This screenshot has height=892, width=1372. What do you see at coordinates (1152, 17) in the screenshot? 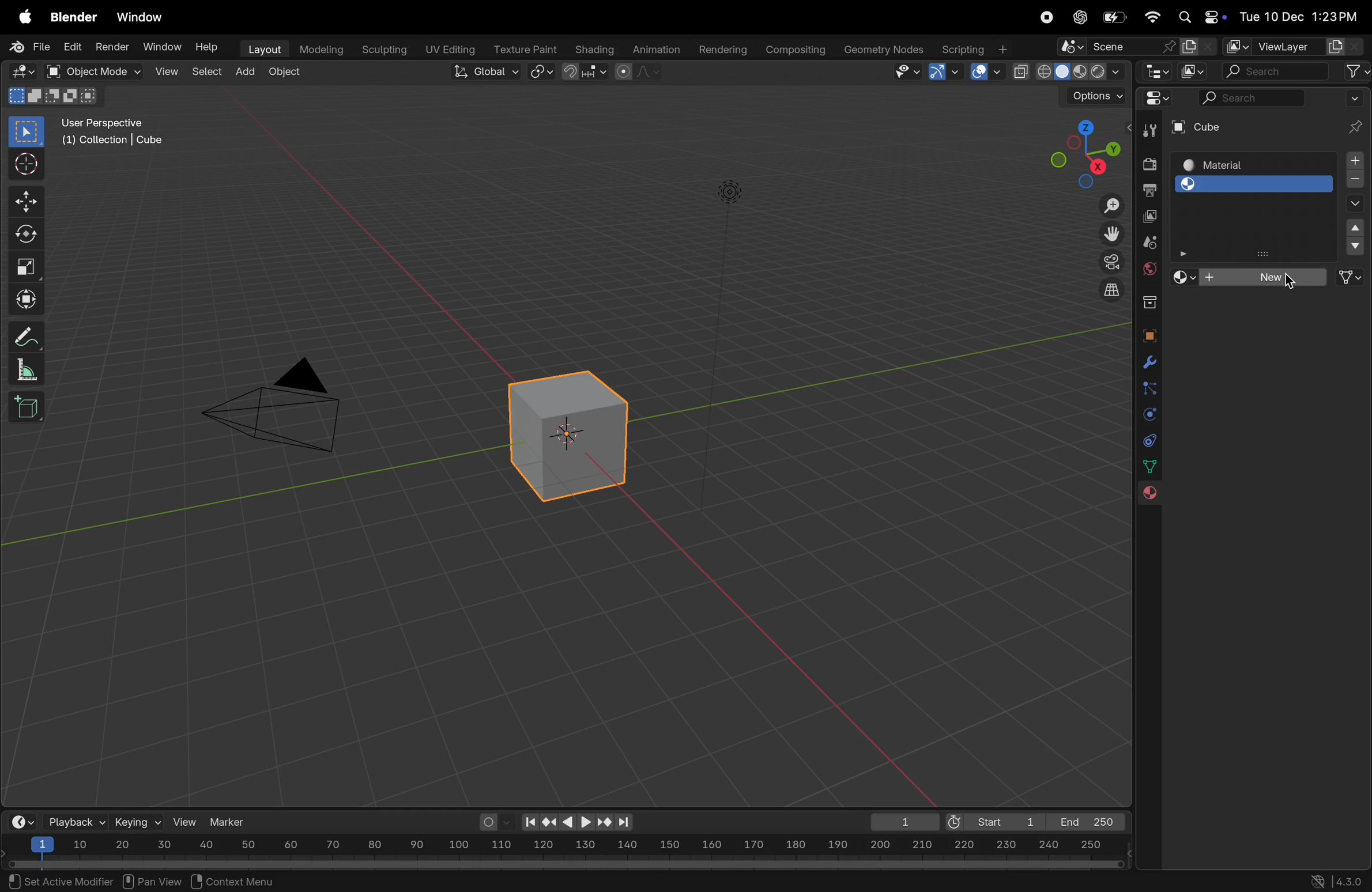
I see `wifi` at bounding box center [1152, 17].